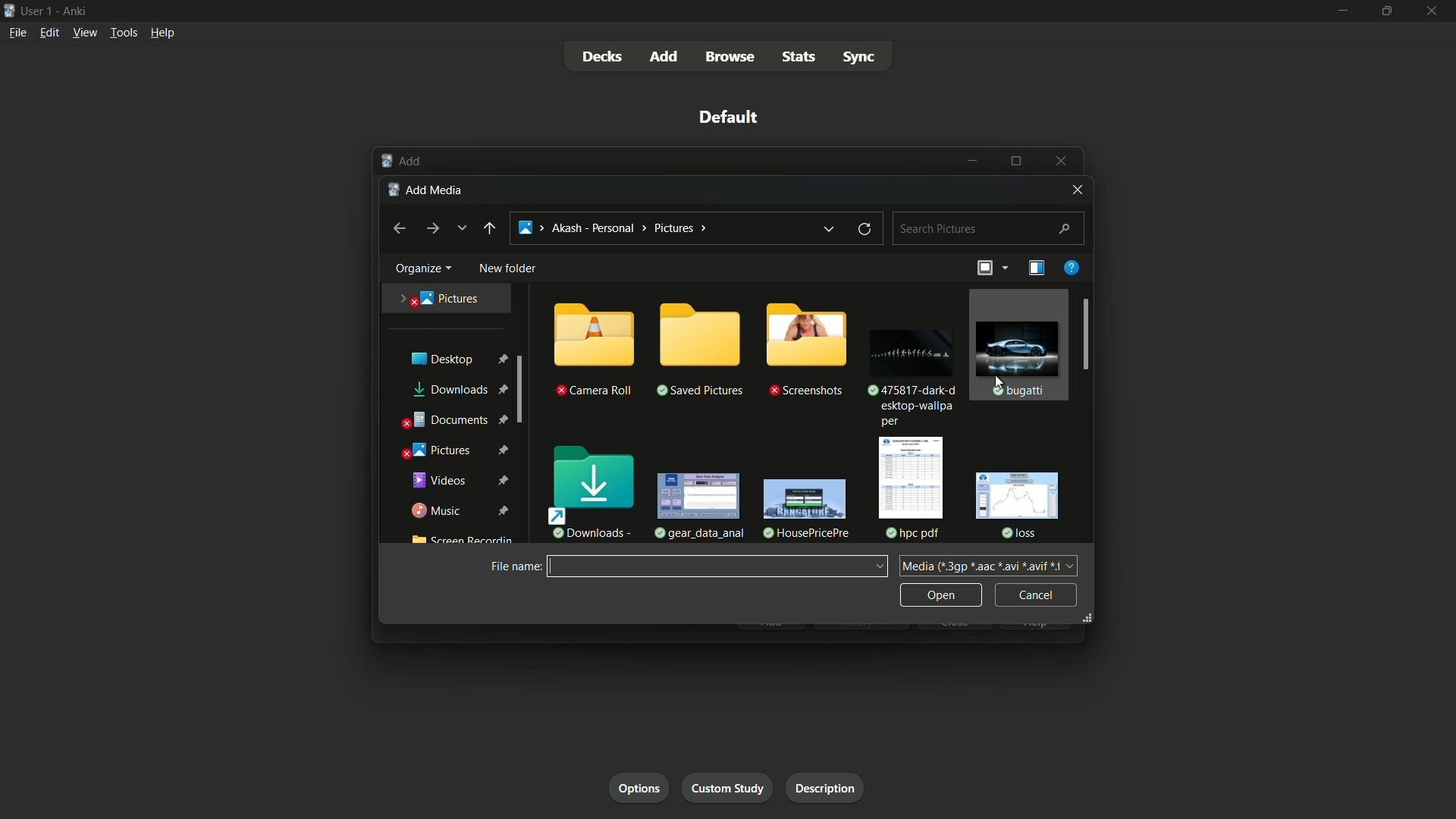 This screenshot has width=1456, height=819. I want to click on refresh, so click(864, 230).